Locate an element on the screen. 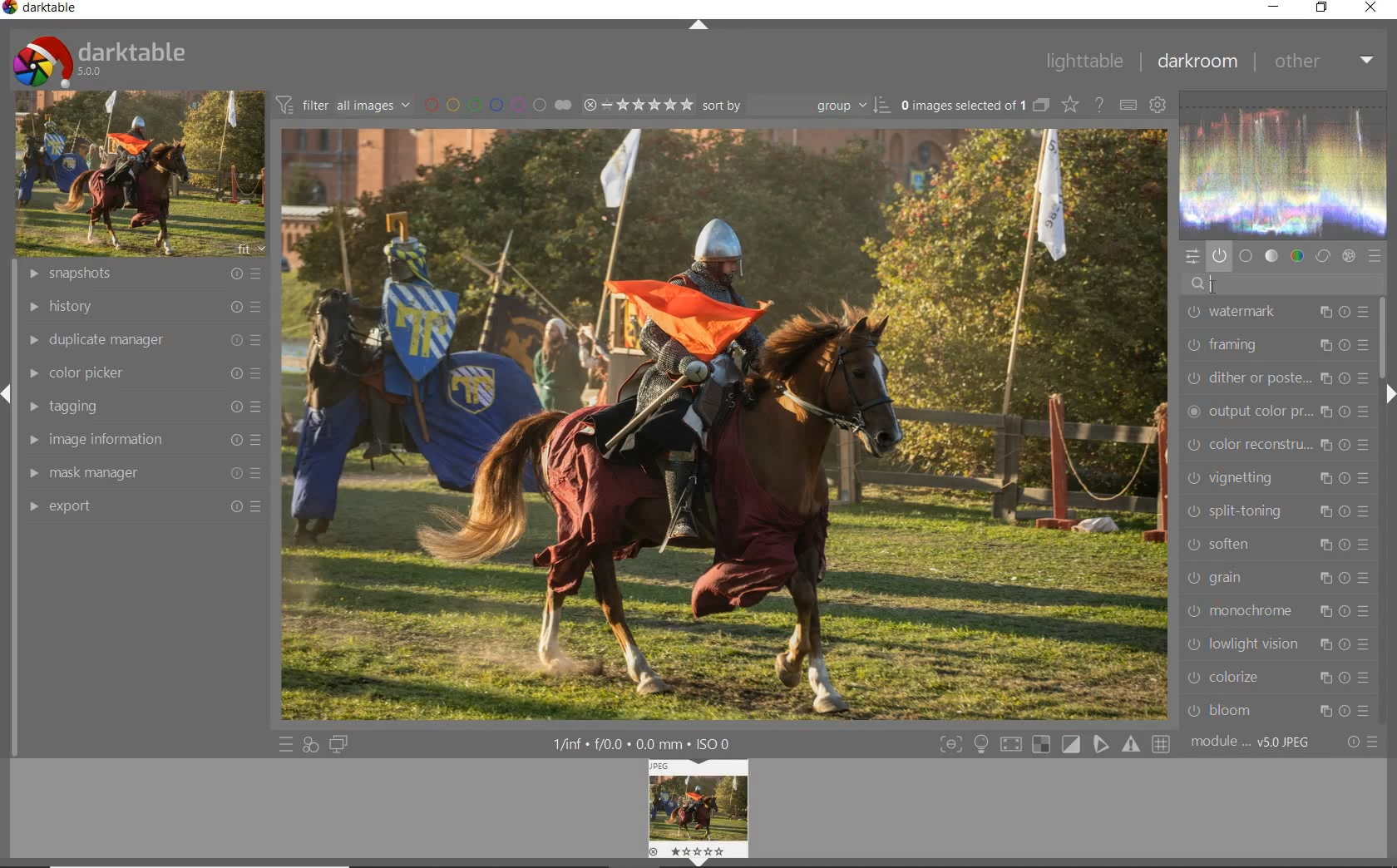 Image resolution: width=1397 pixels, height=868 pixels. scrollbar is located at coordinates (1380, 338).